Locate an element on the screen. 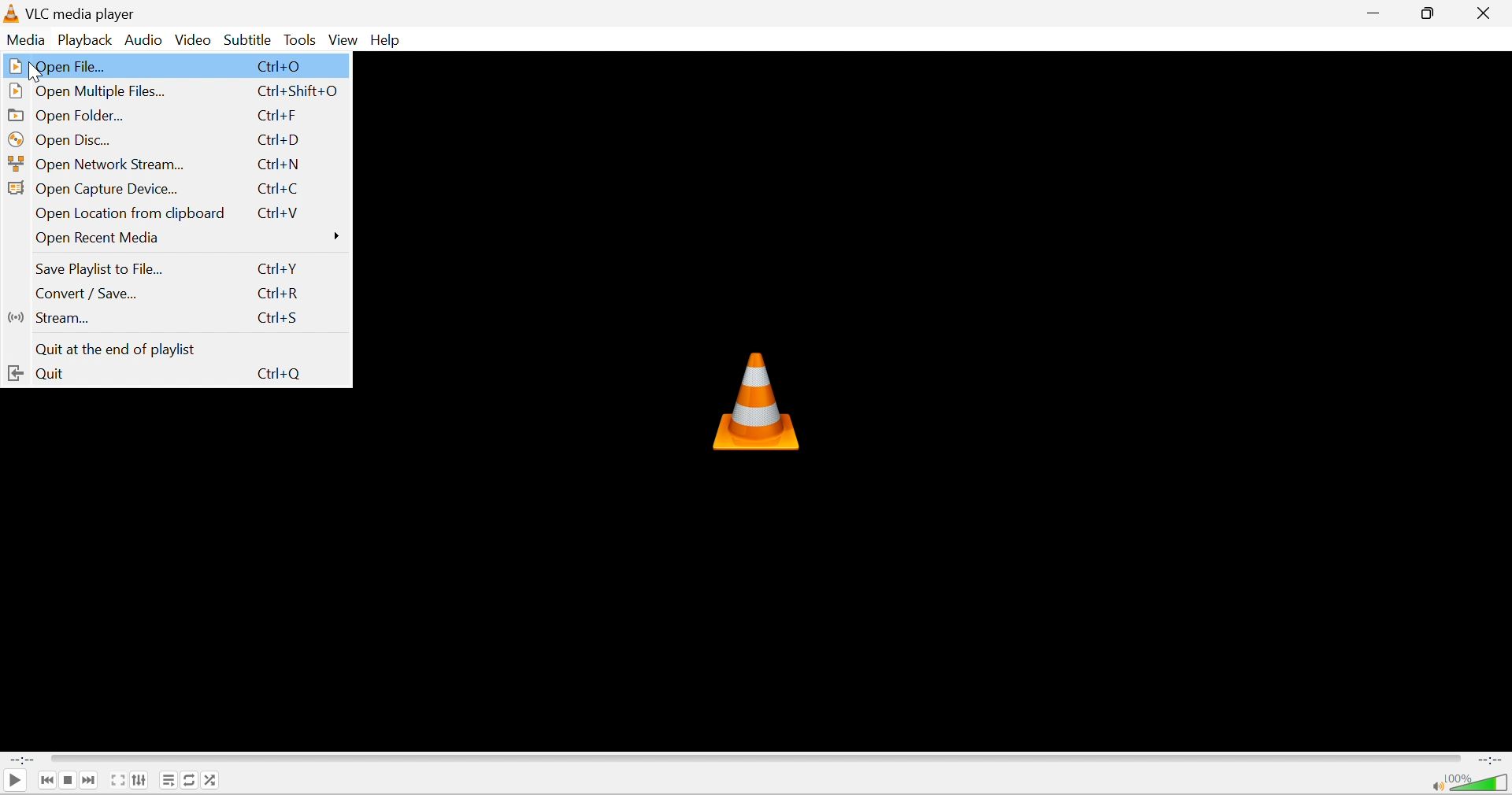 This screenshot has width=1512, height=795. Start Time is located at coordinates (21, 762).